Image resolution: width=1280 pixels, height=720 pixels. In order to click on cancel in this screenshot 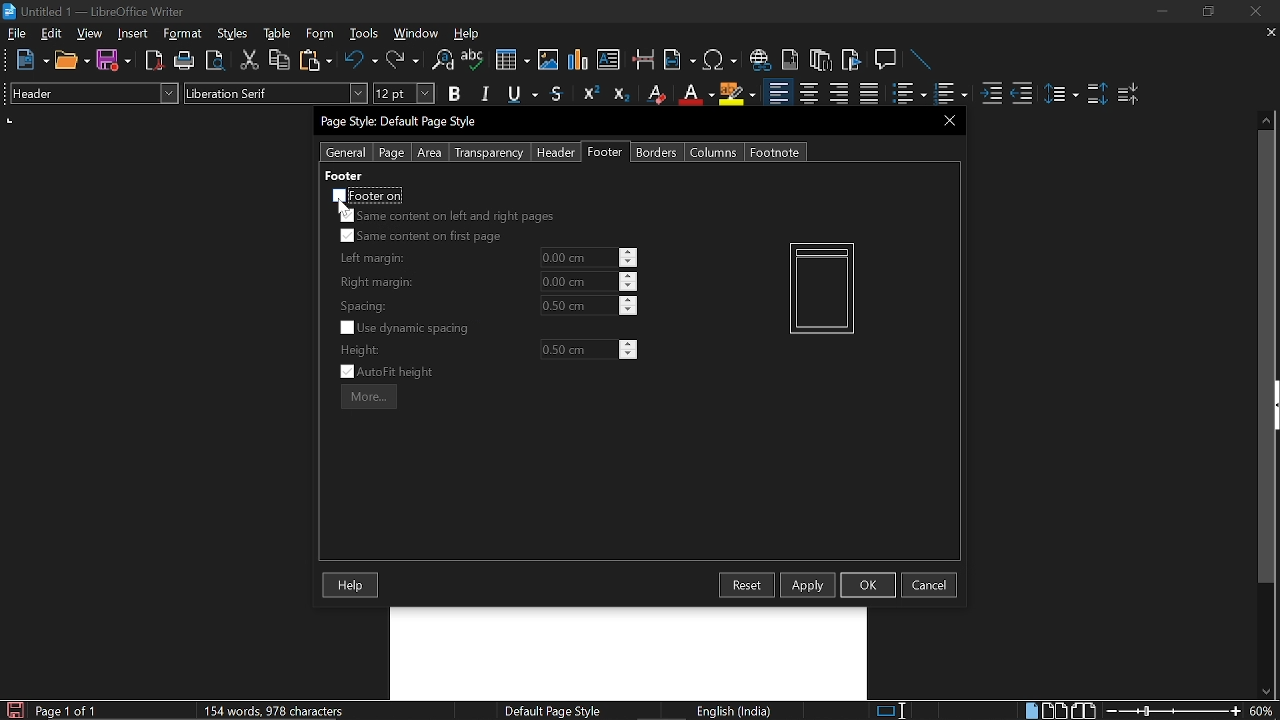, I will do `click(929, 585)`.